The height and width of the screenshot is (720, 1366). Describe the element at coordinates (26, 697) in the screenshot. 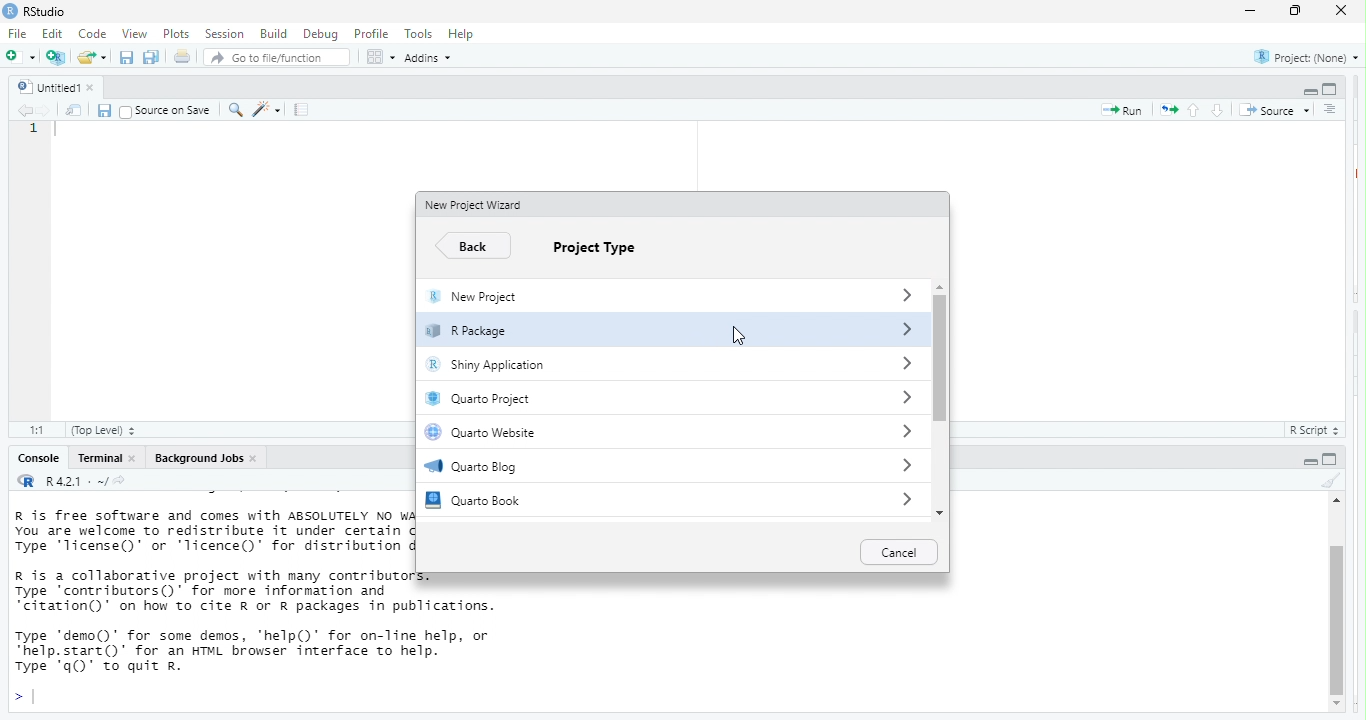

I see `typing cursor` at that location.